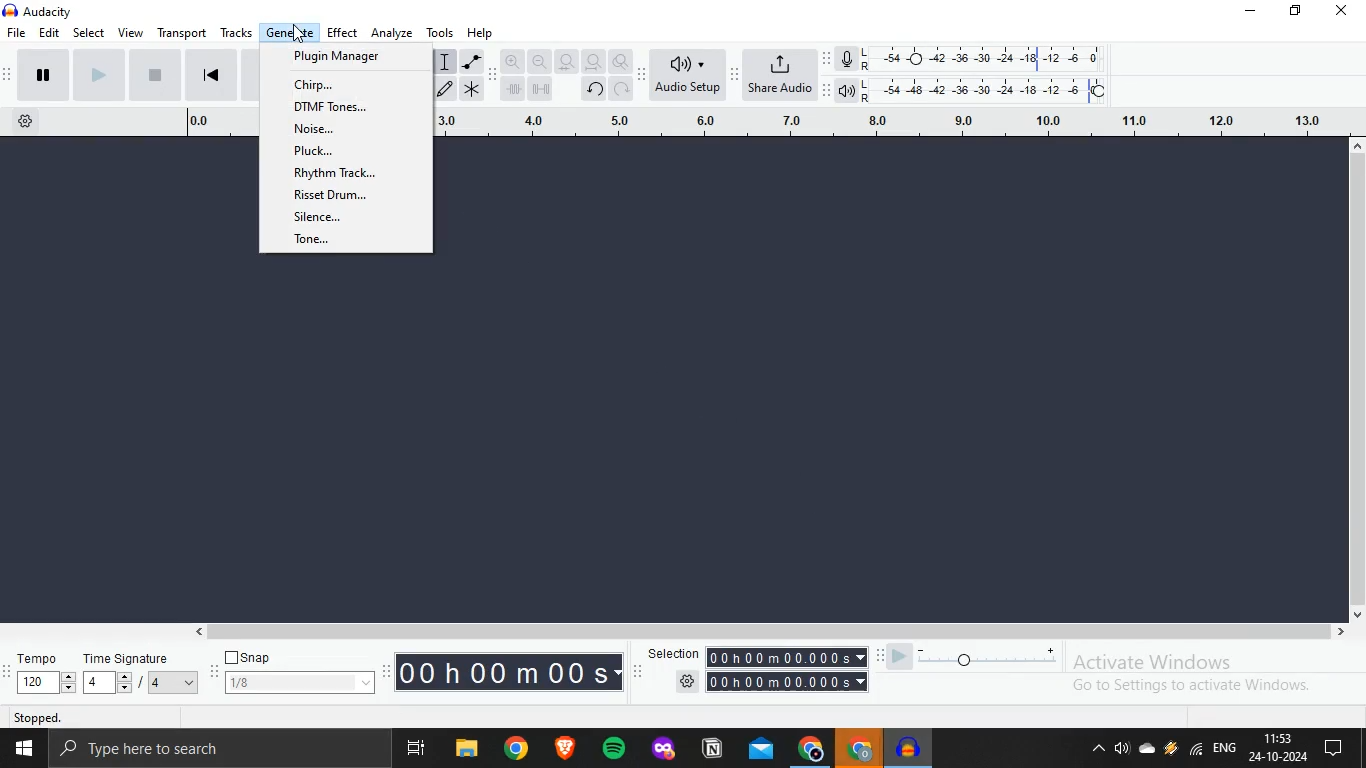 The image size is (1366, 768). What do you see at coordinates (1212, 675) in the screenshot?
I see `Activate window` at bounding box center [1212, 675].